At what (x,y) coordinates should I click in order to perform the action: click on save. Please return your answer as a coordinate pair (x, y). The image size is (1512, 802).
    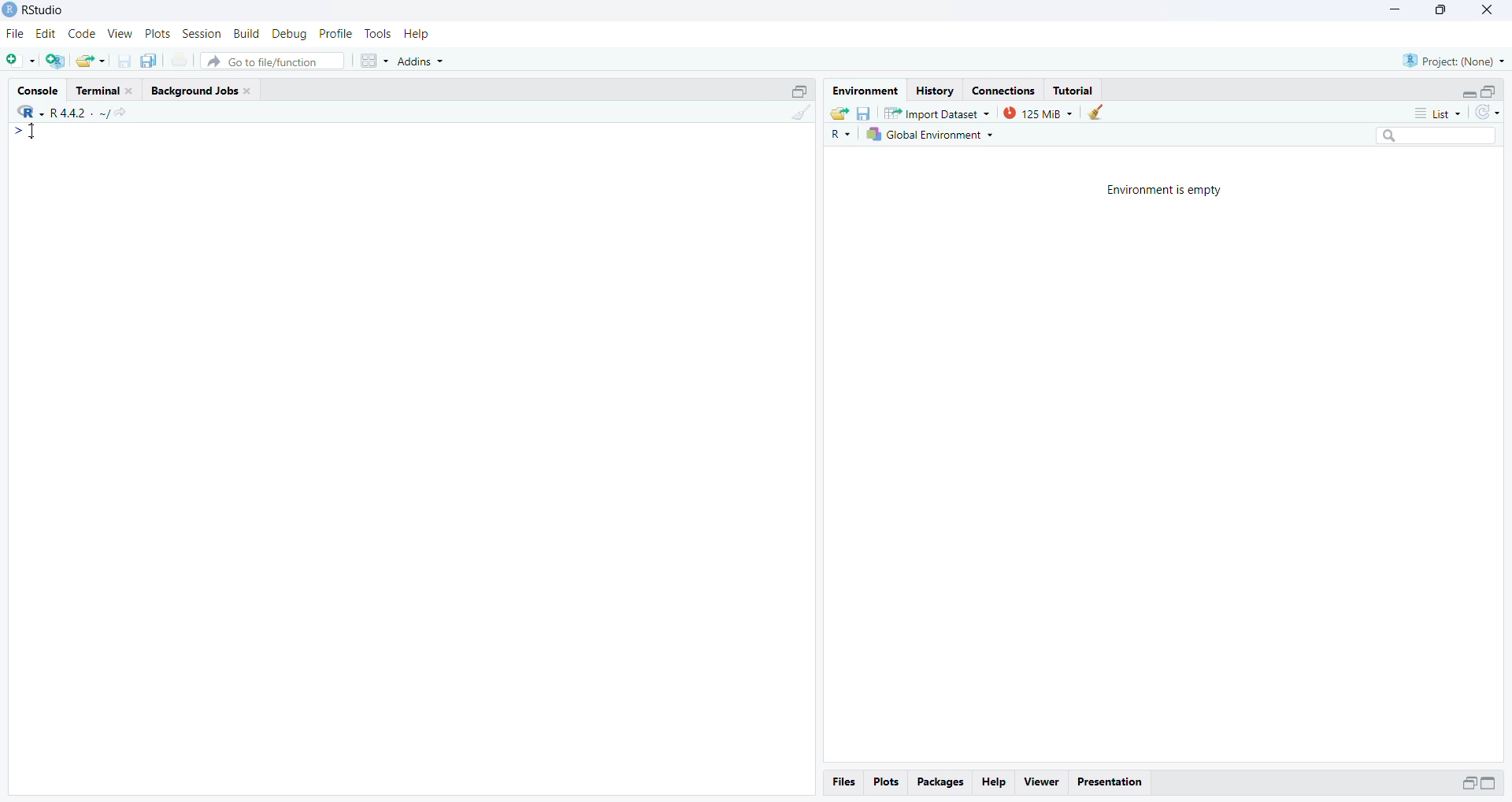
    Looking at the image, I should click on (862, 112).